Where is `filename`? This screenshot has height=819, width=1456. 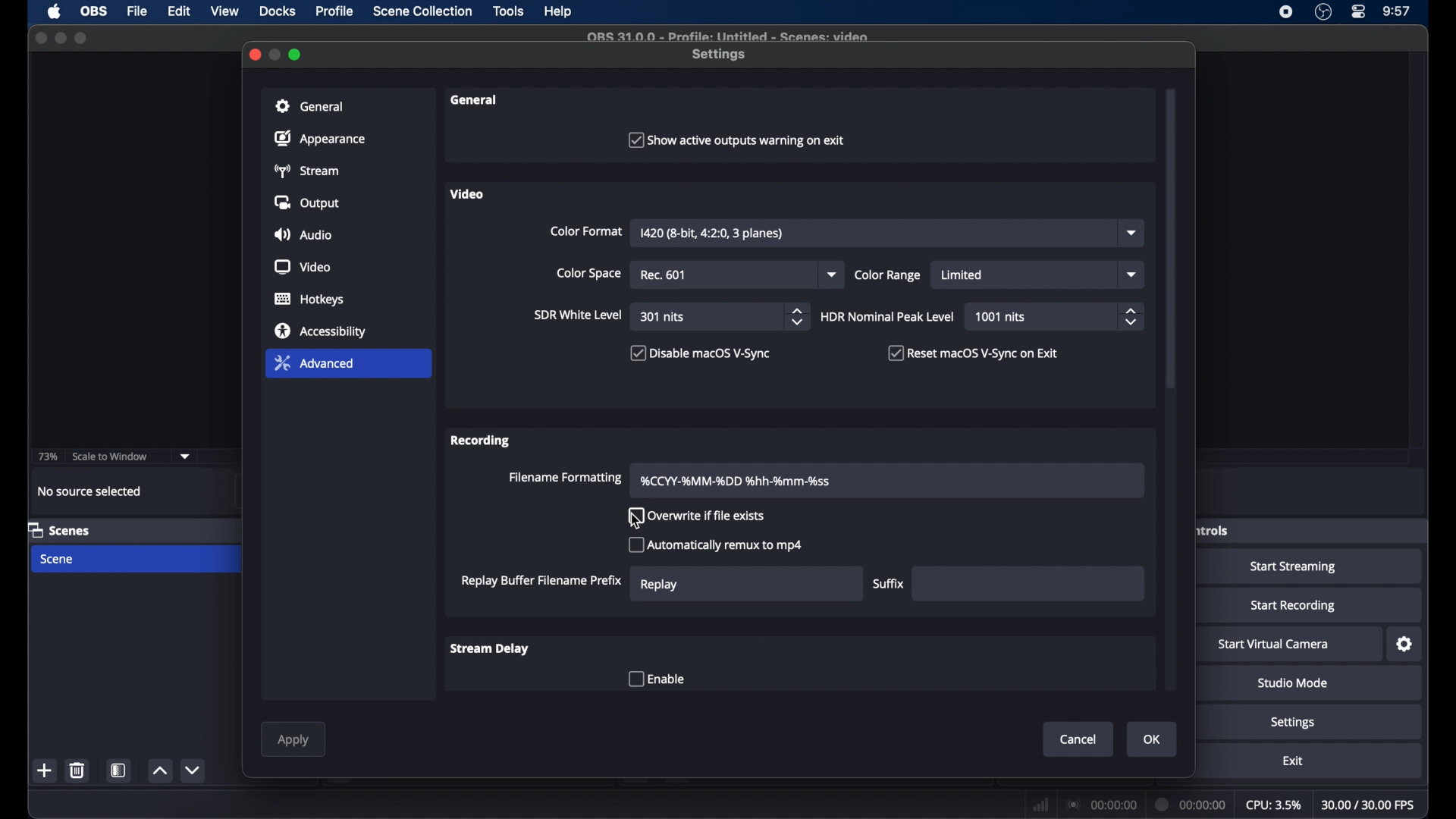
filename is located at coordinates (737, 482).